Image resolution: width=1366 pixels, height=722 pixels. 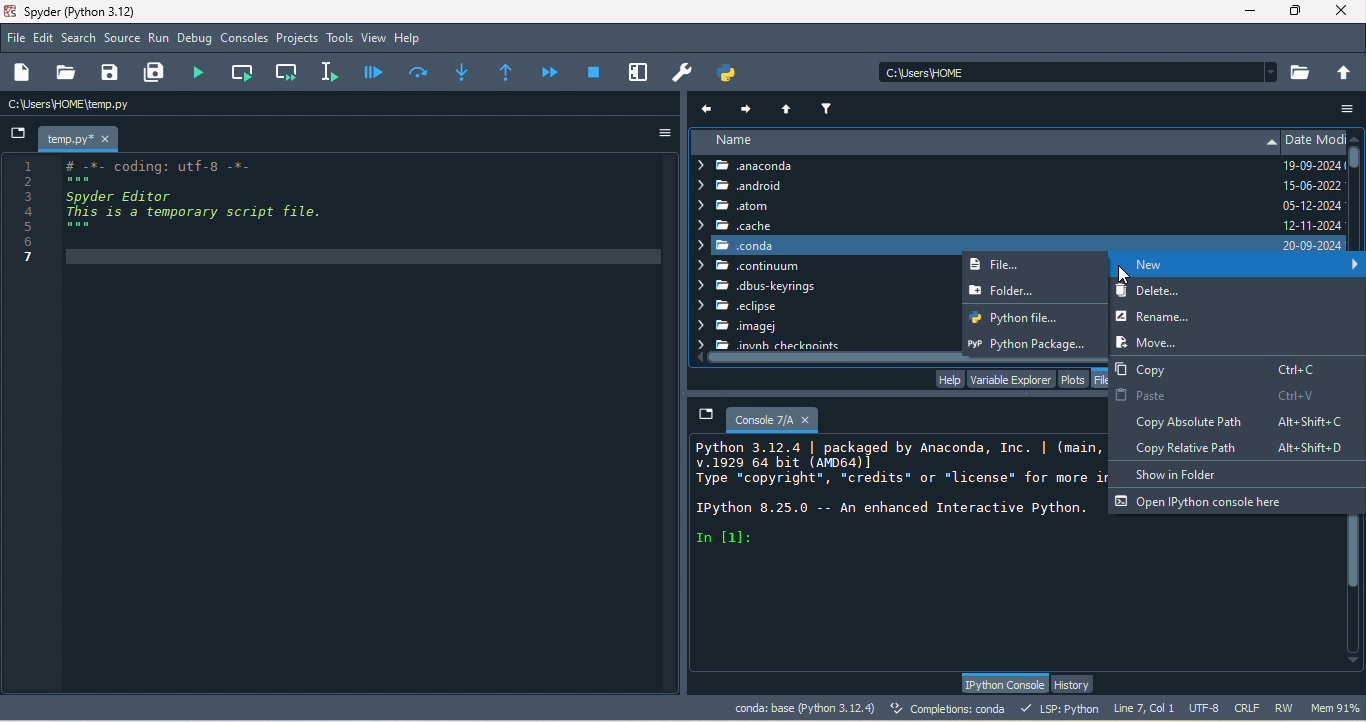 I want to click on crlf, so click(x=1250, y=709).